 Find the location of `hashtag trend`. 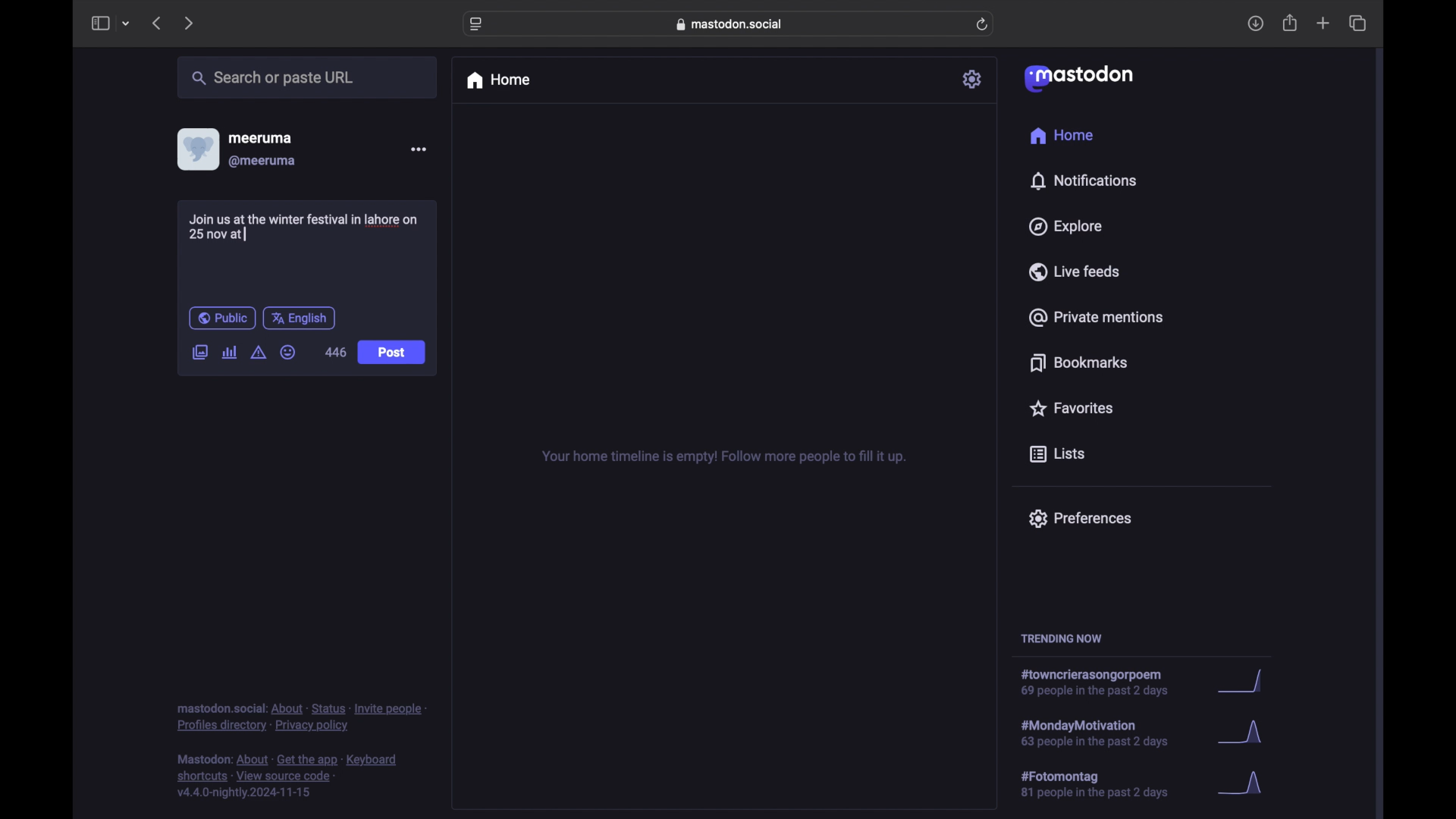

hashtag trend is located at coordinates (1105, 732).